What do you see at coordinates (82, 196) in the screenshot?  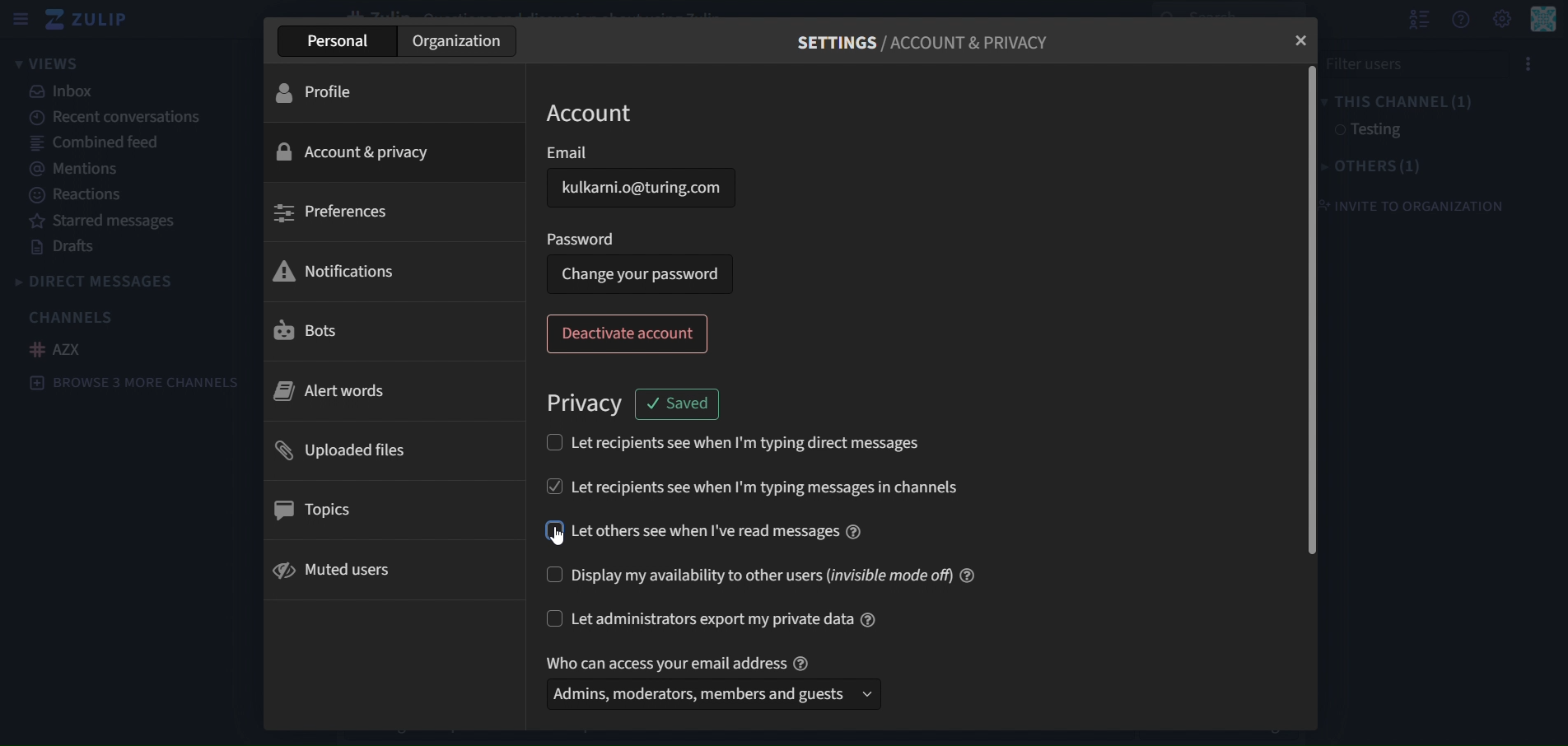 I see `reactions` at bounding box center [82, 196].